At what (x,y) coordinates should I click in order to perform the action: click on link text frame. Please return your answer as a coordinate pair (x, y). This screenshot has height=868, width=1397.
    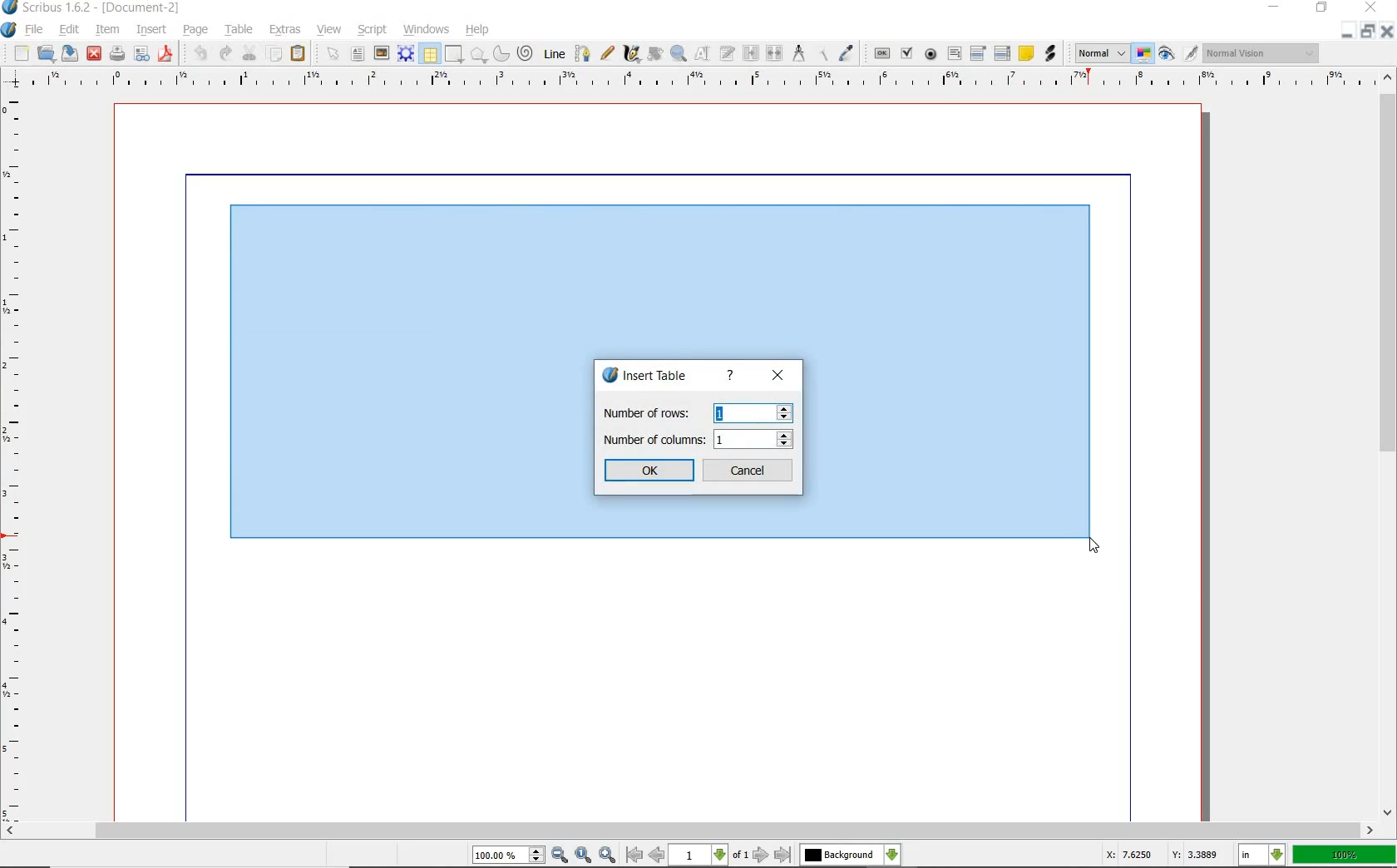
    Looking at the image, I should click on (749, 54).